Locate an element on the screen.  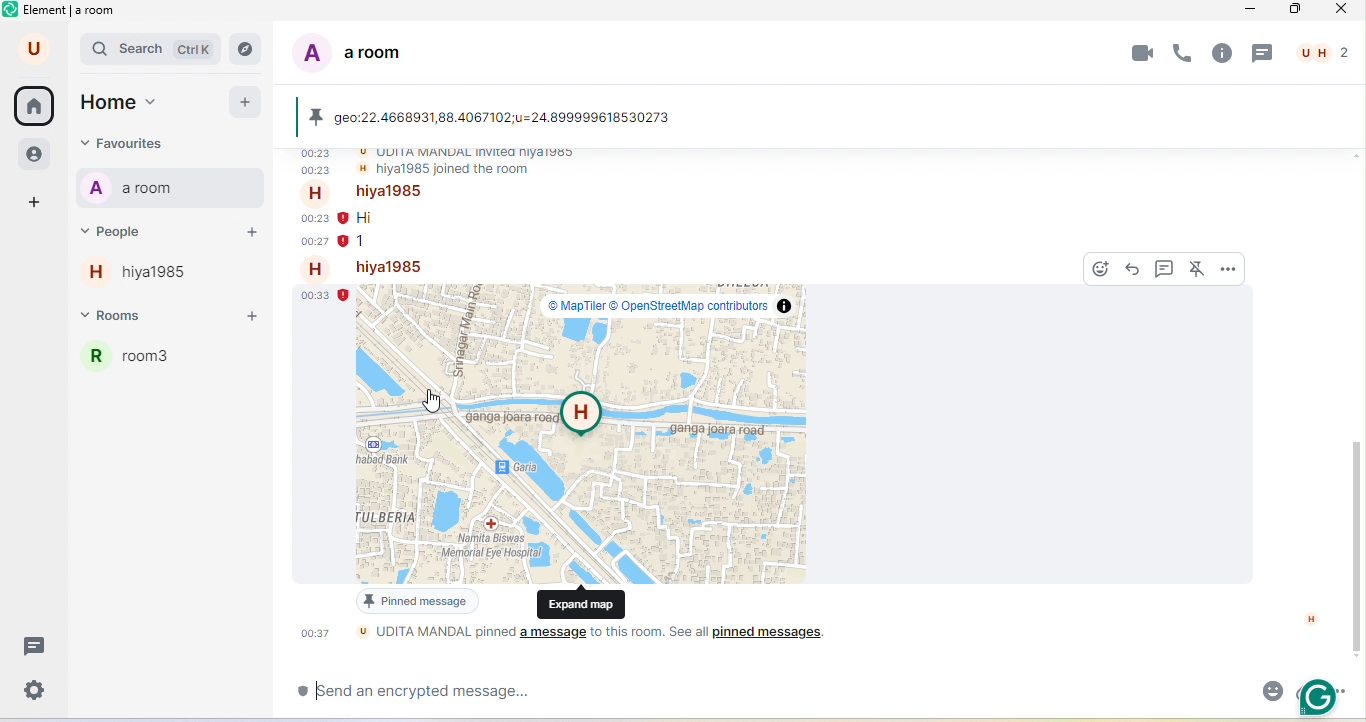
a room is located at coordinates (139, 189).